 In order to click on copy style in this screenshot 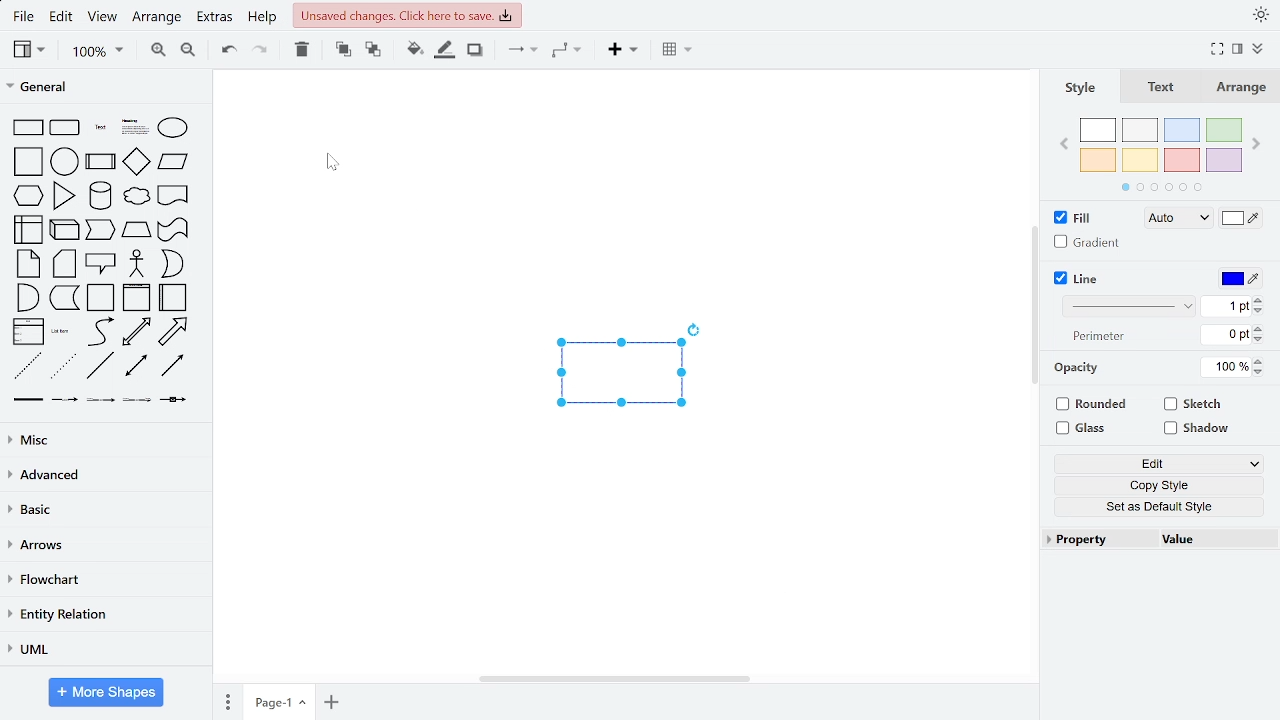, I will do `click(1154, 485)`.